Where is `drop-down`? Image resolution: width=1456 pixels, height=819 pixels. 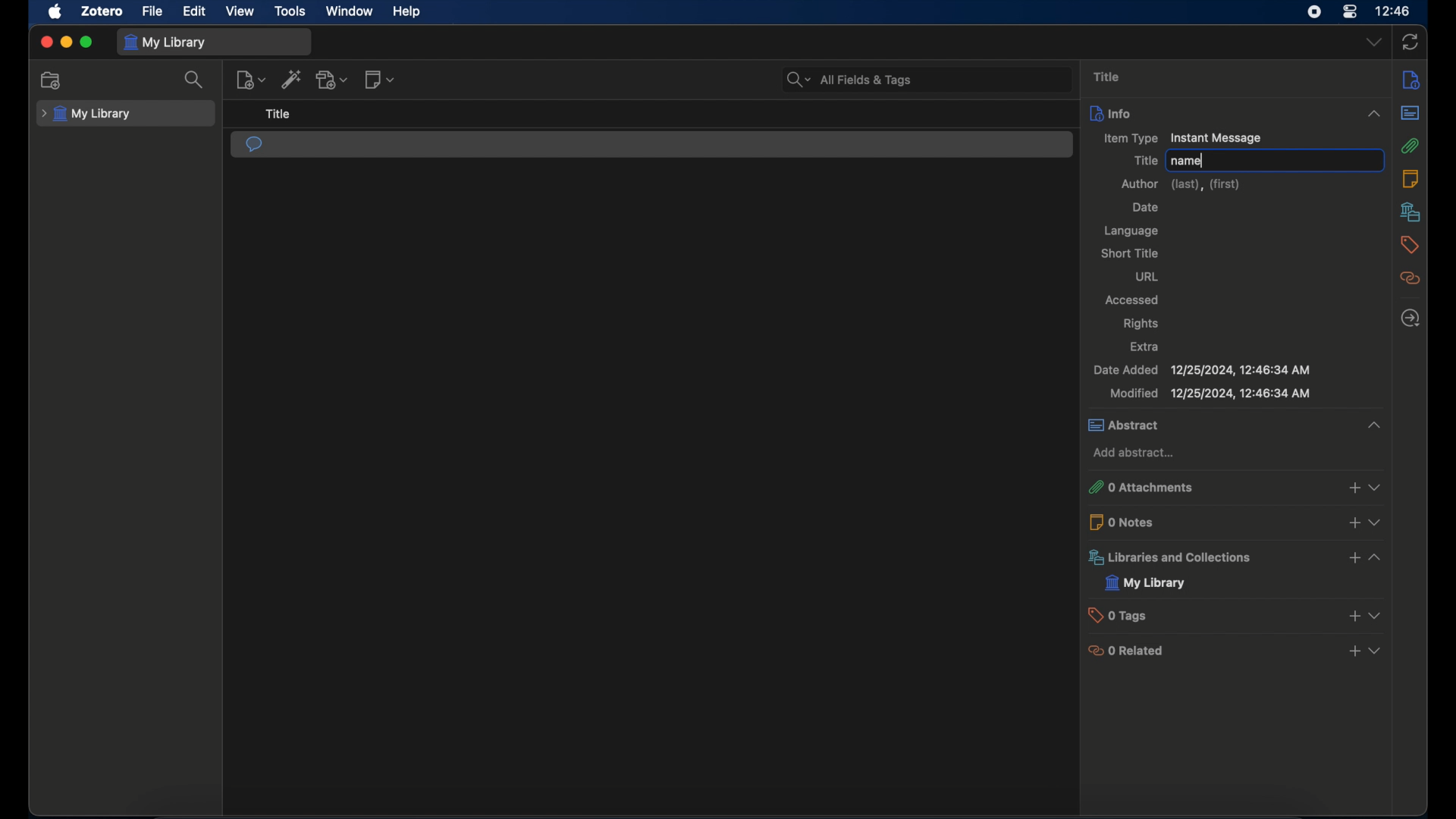
drop-down is located at coordinates (1375, 42).